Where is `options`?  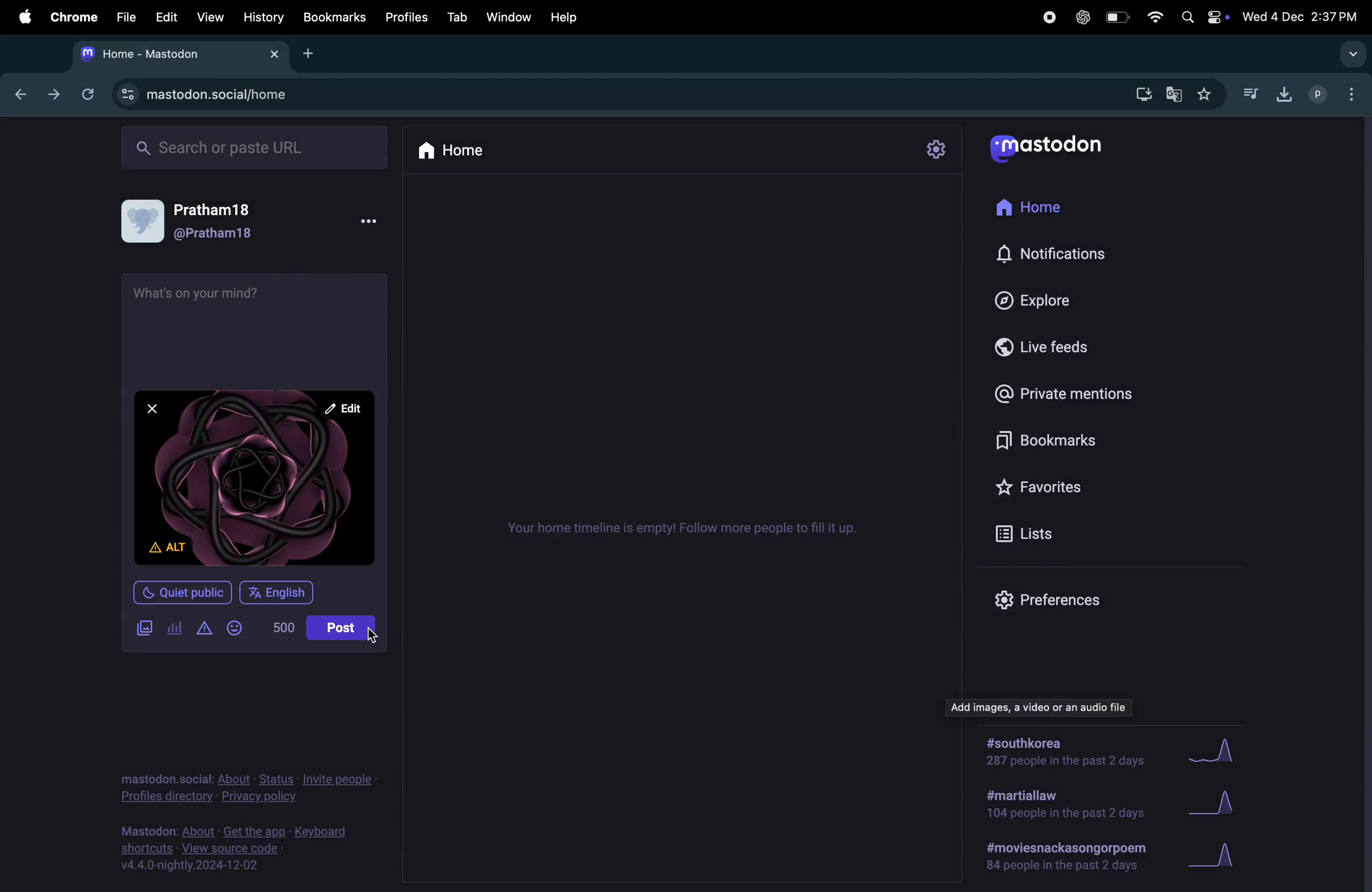
options is located at coordinates (367, 222).